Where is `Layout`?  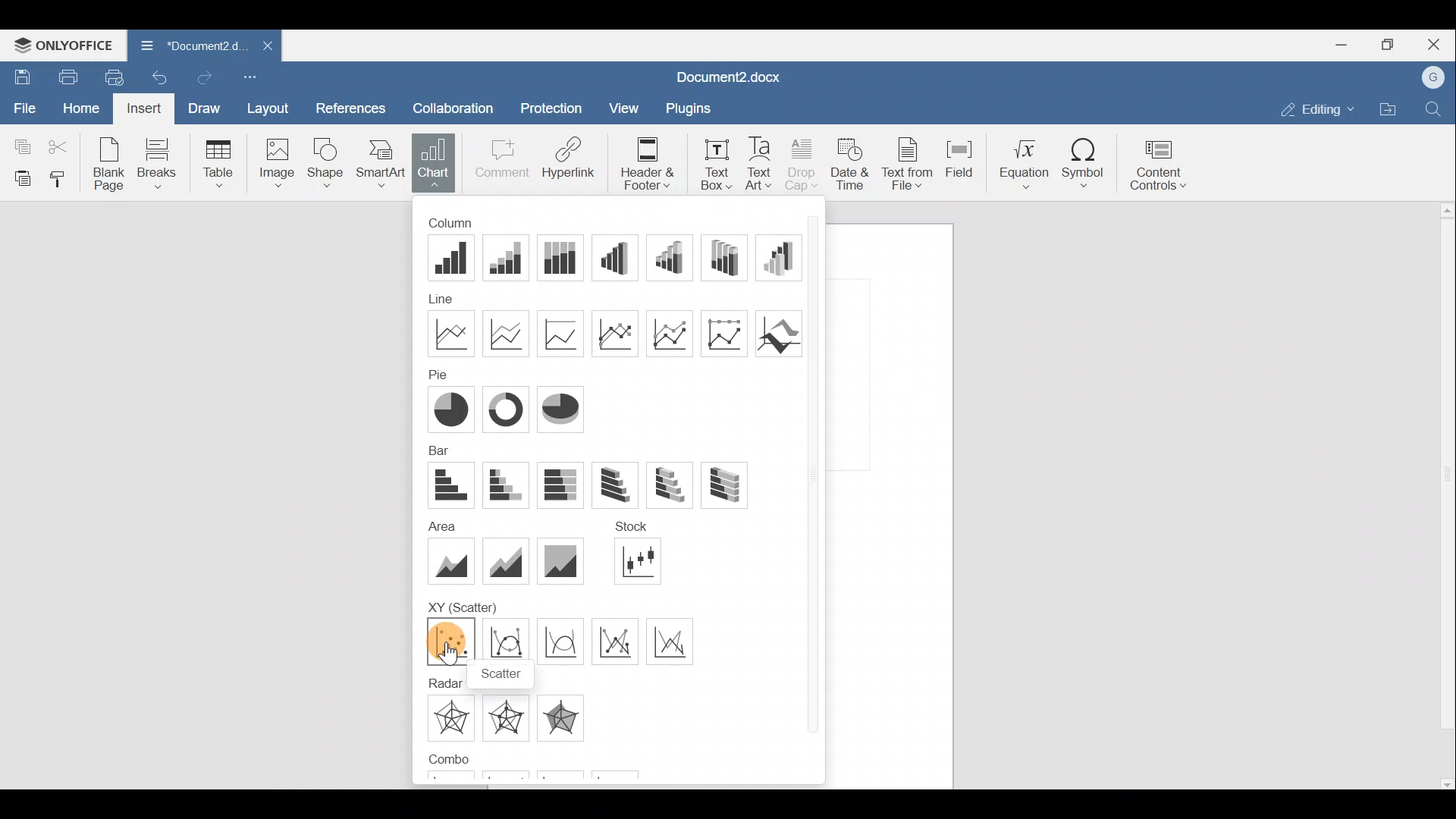
Layout is located at coordinates (268, 106).